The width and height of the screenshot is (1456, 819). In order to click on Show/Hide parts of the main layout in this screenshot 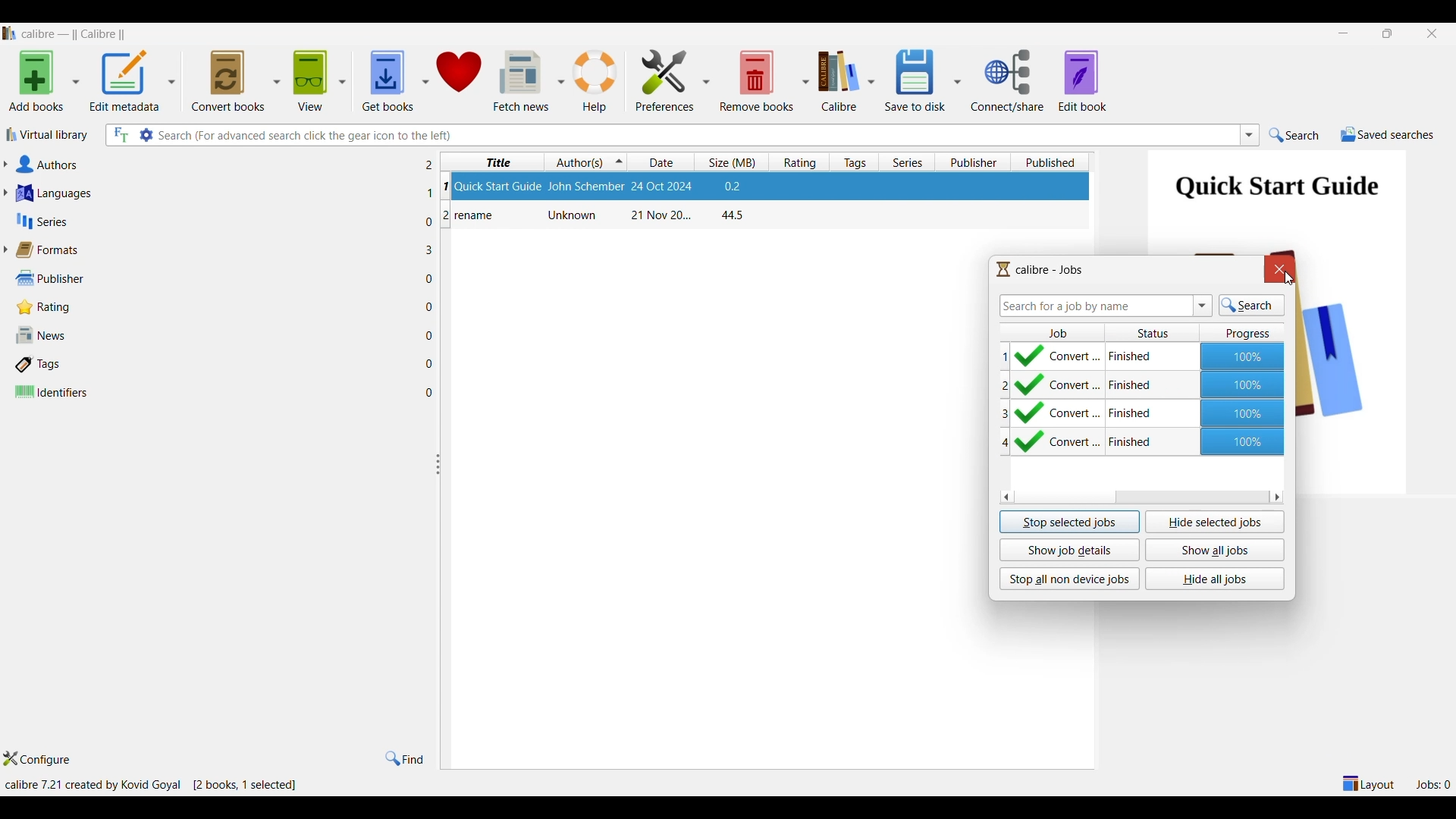, I will do `click(1365, 783)`.